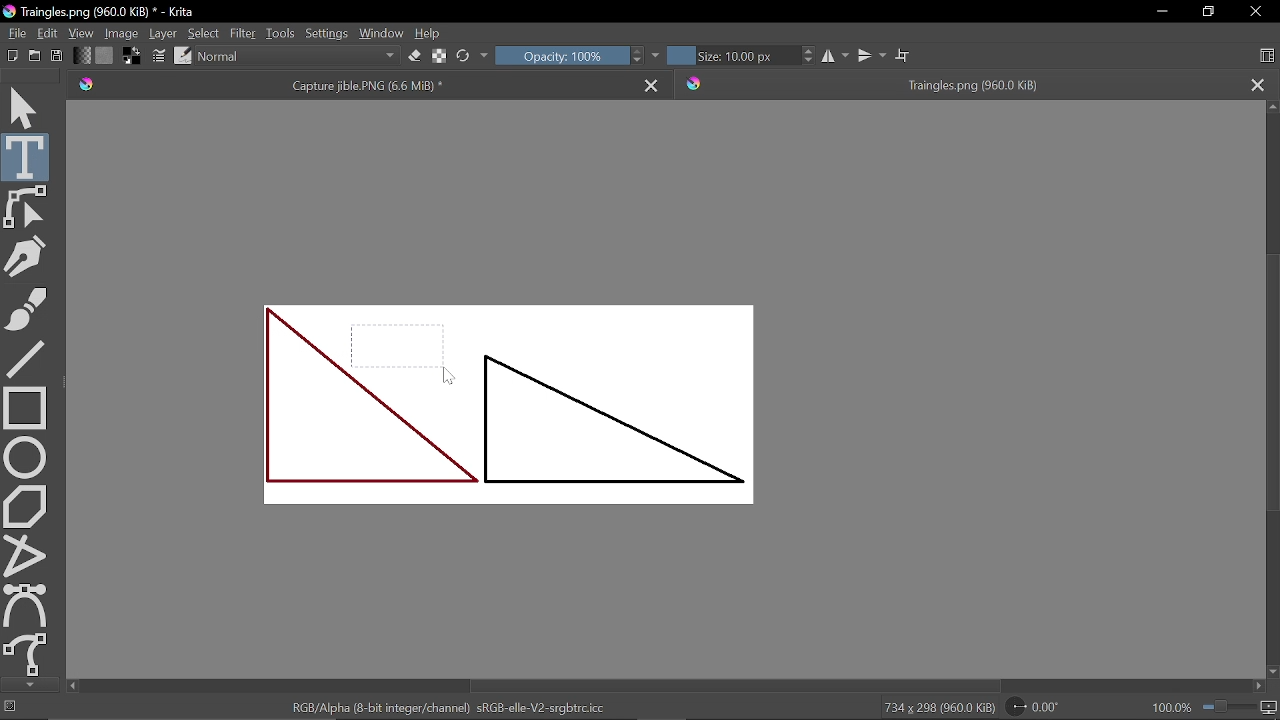  I want to click on Polyline tool, so click(26, 555).